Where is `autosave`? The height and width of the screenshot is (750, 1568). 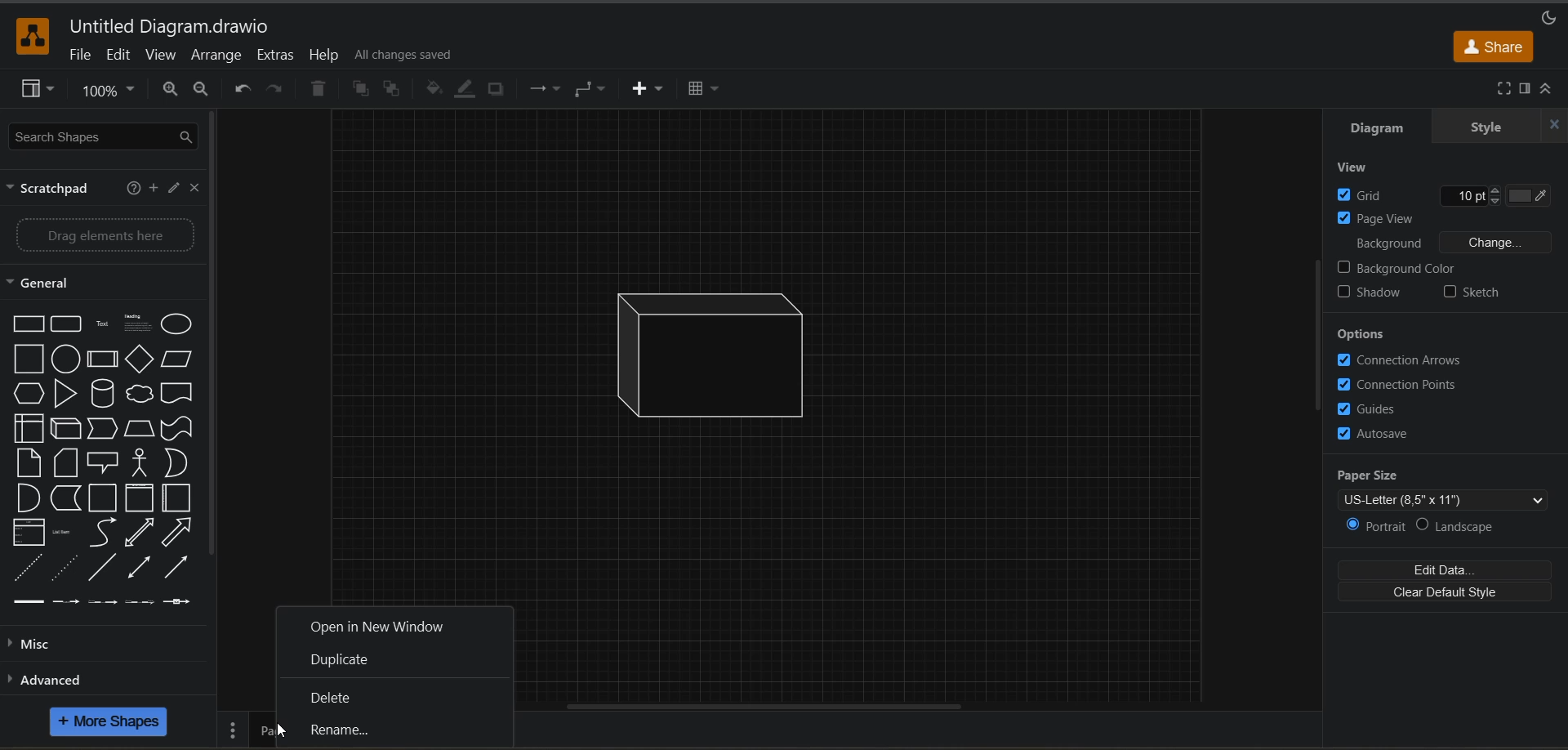 autosave is located at coordinates (1376, 435).